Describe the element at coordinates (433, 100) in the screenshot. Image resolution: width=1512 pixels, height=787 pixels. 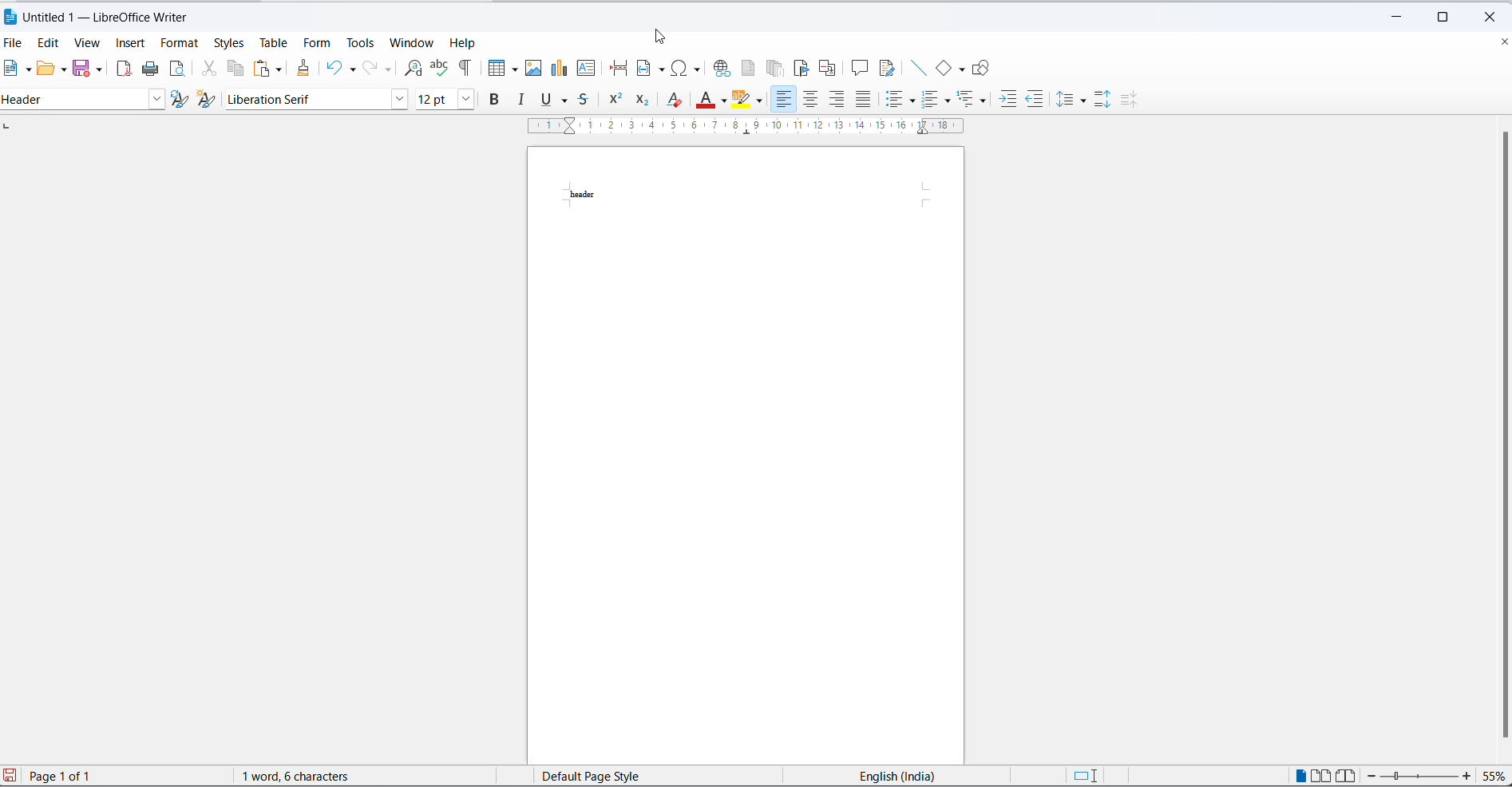
I see `font size ` at that location.